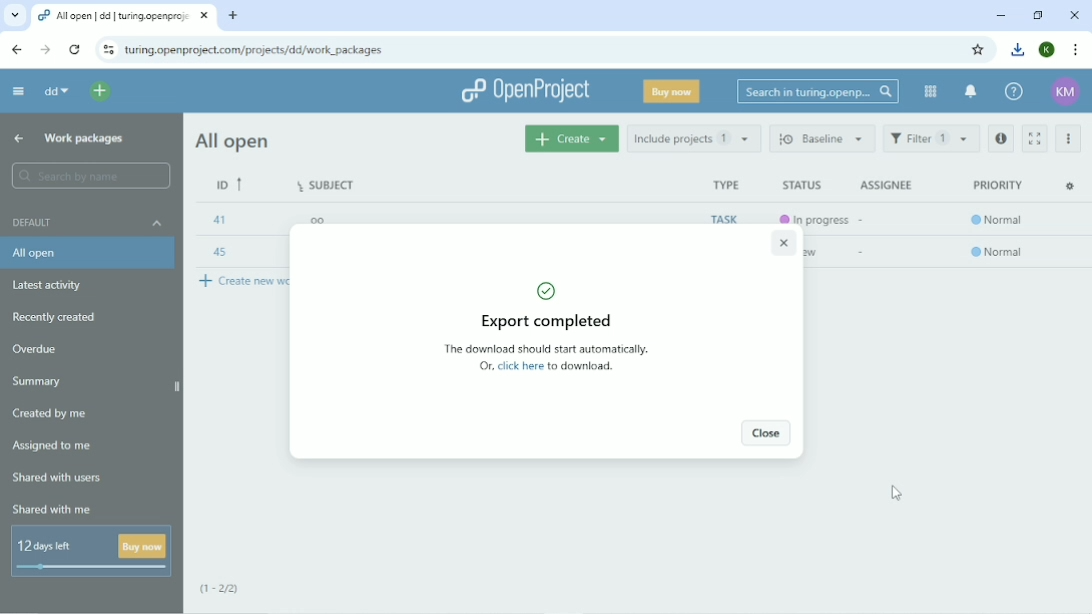 This screenshot has height=614, width=1092. I want to click on dd, so click(55, 93).